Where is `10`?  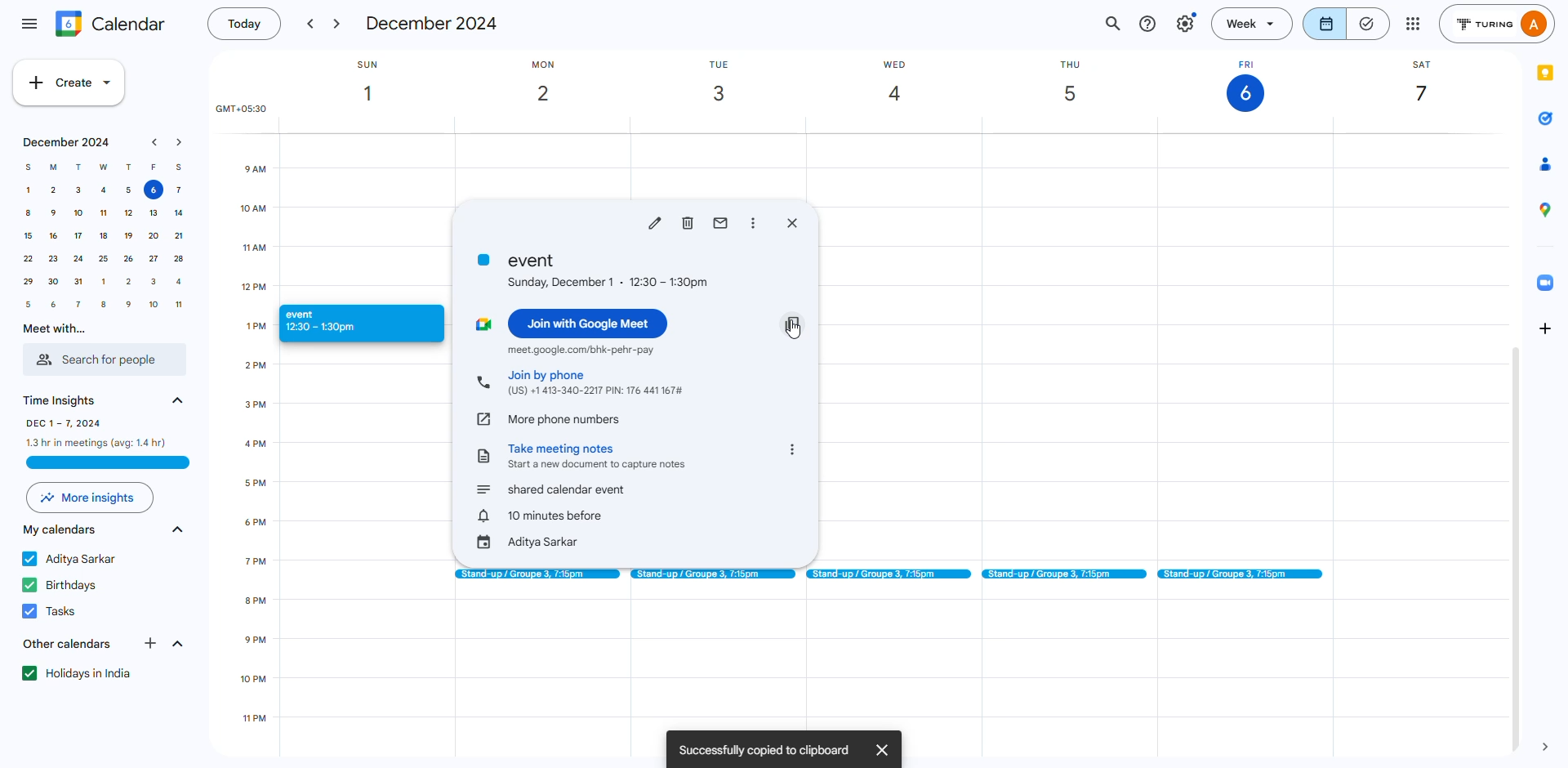
10 is located at coordinates (149, 304).